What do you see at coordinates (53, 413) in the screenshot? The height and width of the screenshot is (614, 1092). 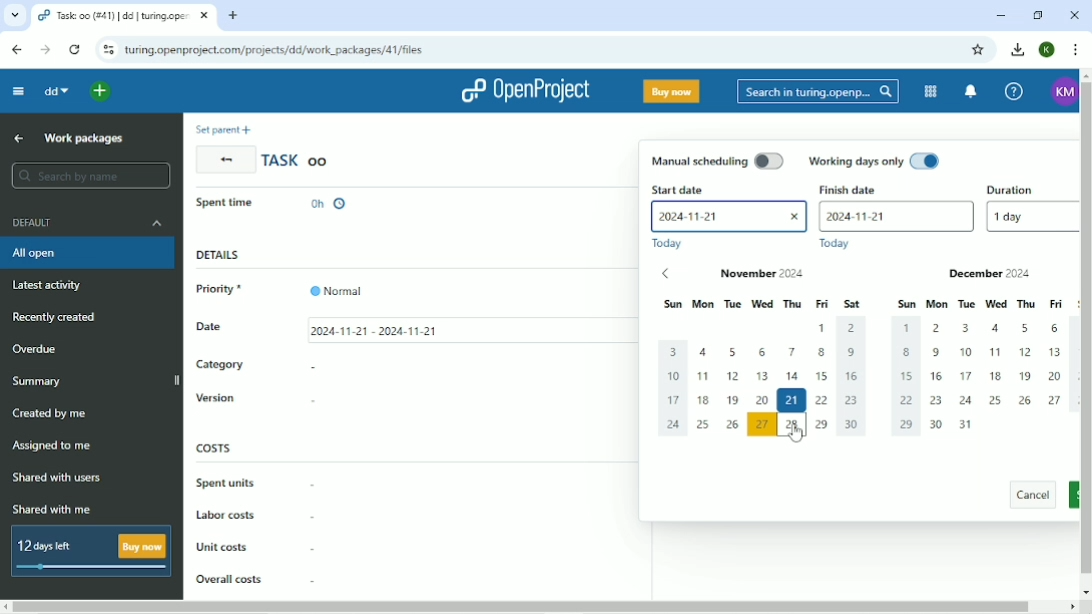 I see `Created by me` at bounding box center [53, 413].